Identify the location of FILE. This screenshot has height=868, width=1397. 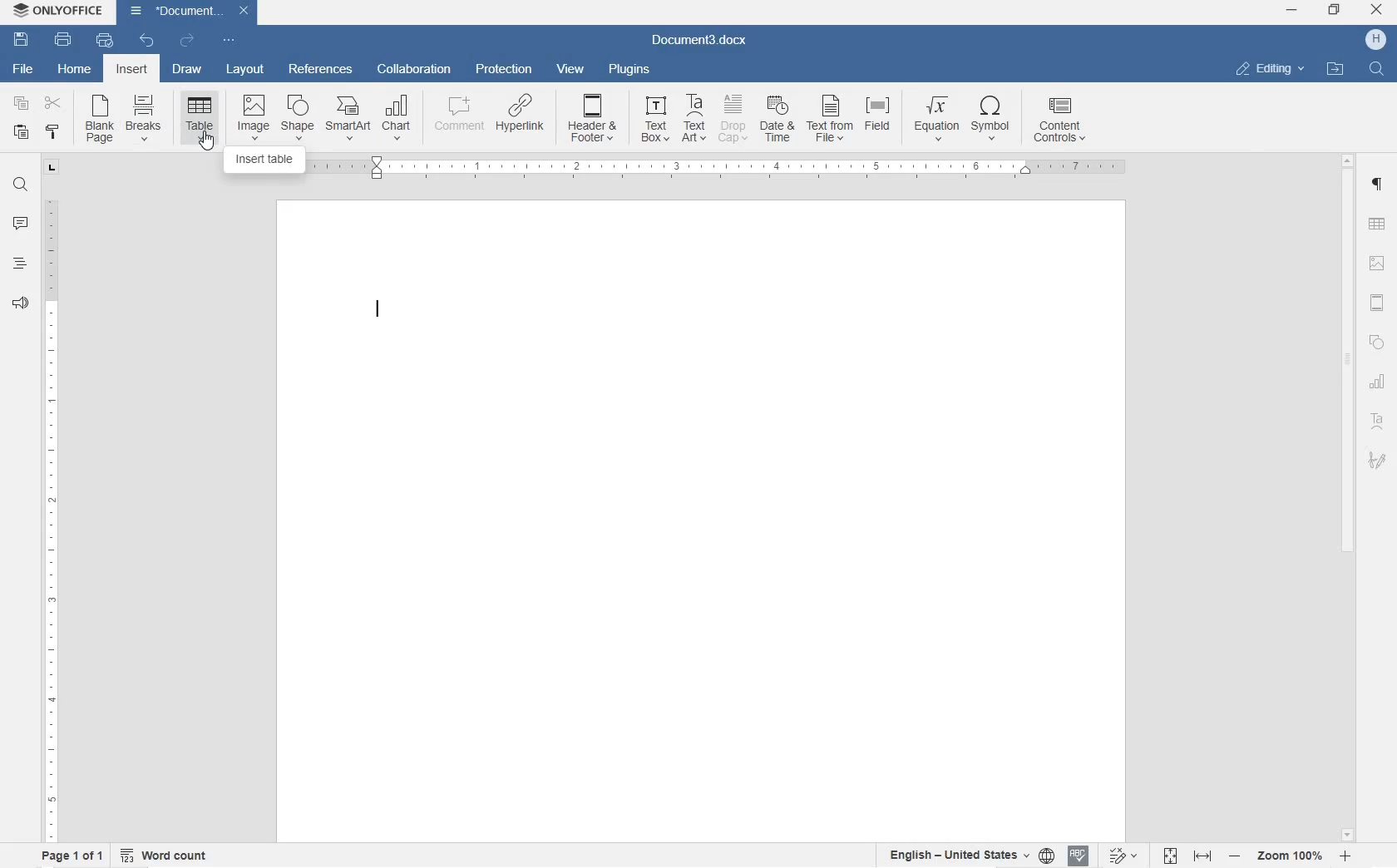
(19, 69).